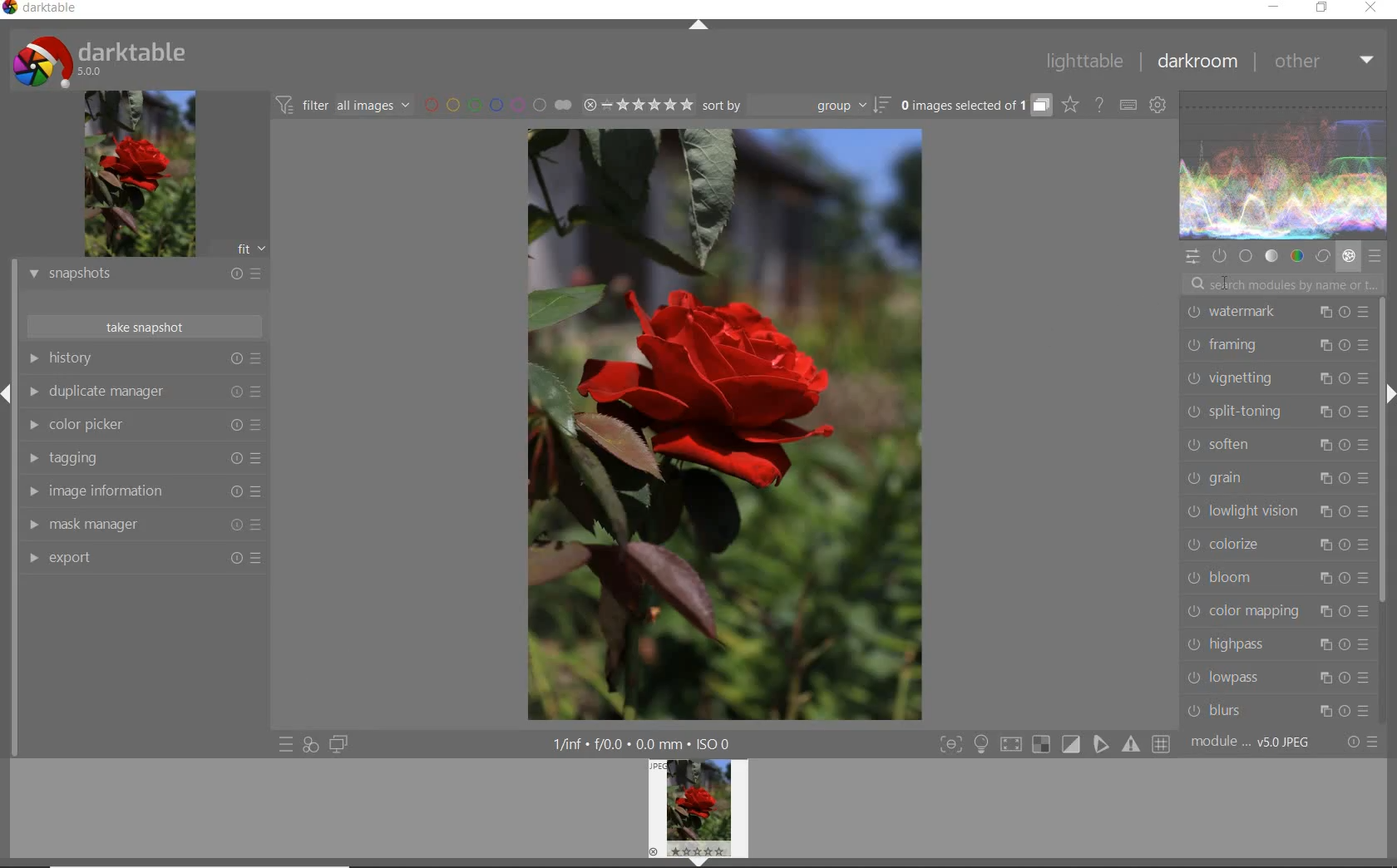  Describe the element at coordinates (1271, 257) in the screenshot. I see `tone` at that location.